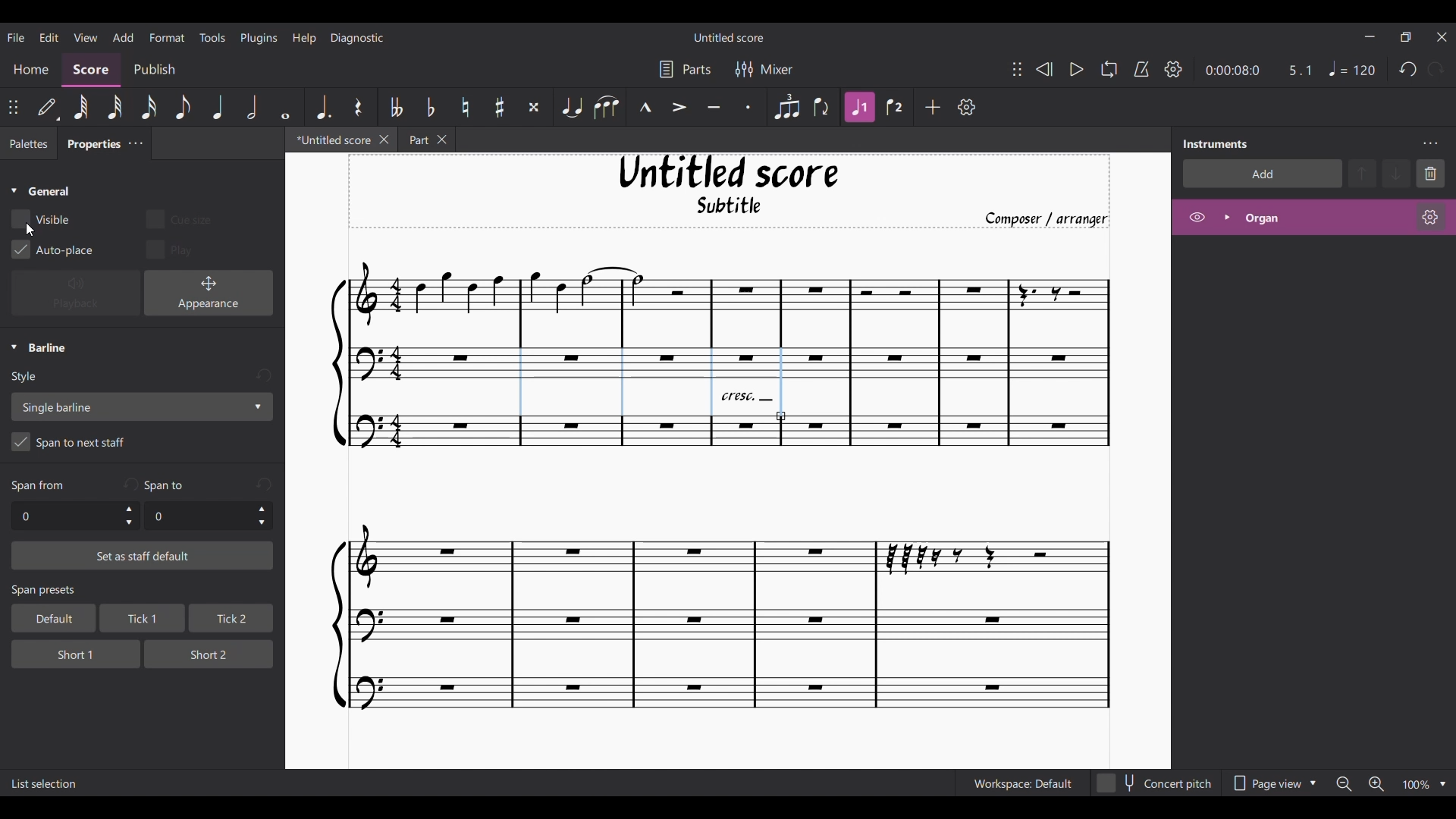  What do you see at coordinates (1415, 786) in the screenshot?
I see `Current zoom factor` at bounding box center [1415, 786].